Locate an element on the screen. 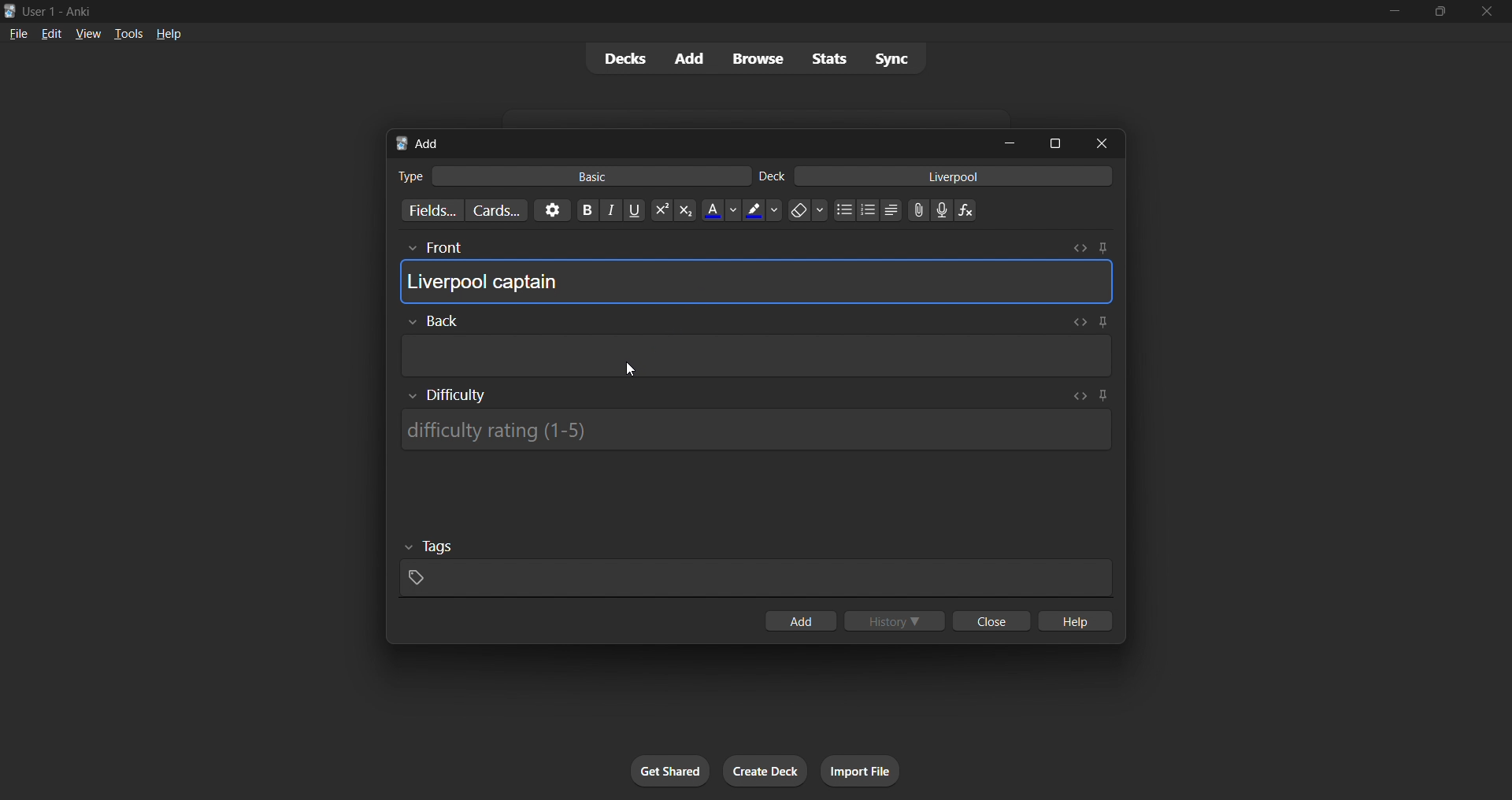 The image size is (1512, 800). Anki logo is located at coordinates (402, 143).